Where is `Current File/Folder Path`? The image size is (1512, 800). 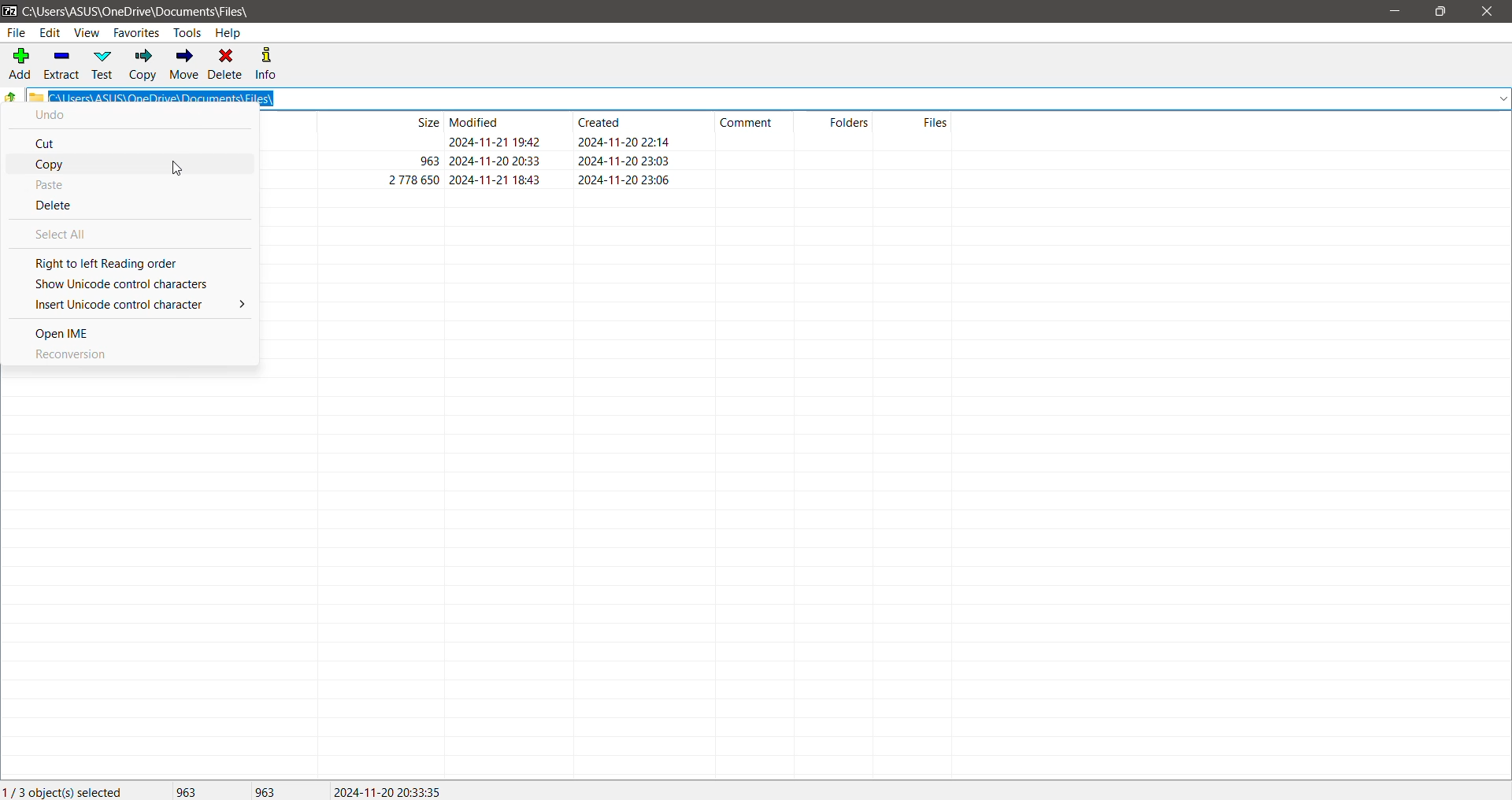 Current File/Folder Path is located at coordinates (768, 96).